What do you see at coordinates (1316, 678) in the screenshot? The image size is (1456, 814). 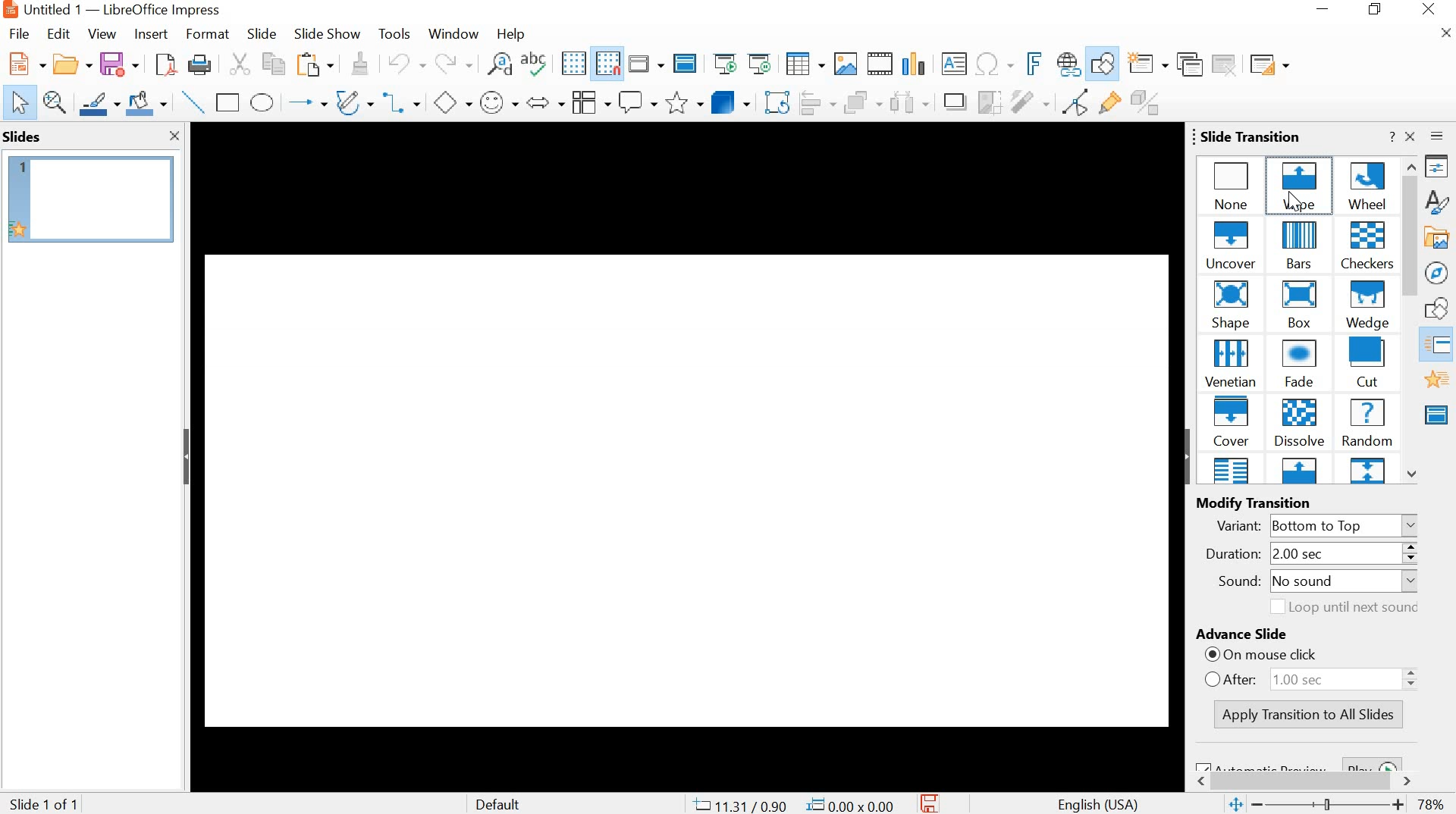 I see `AFTER` at bounding box center [1316, 678].